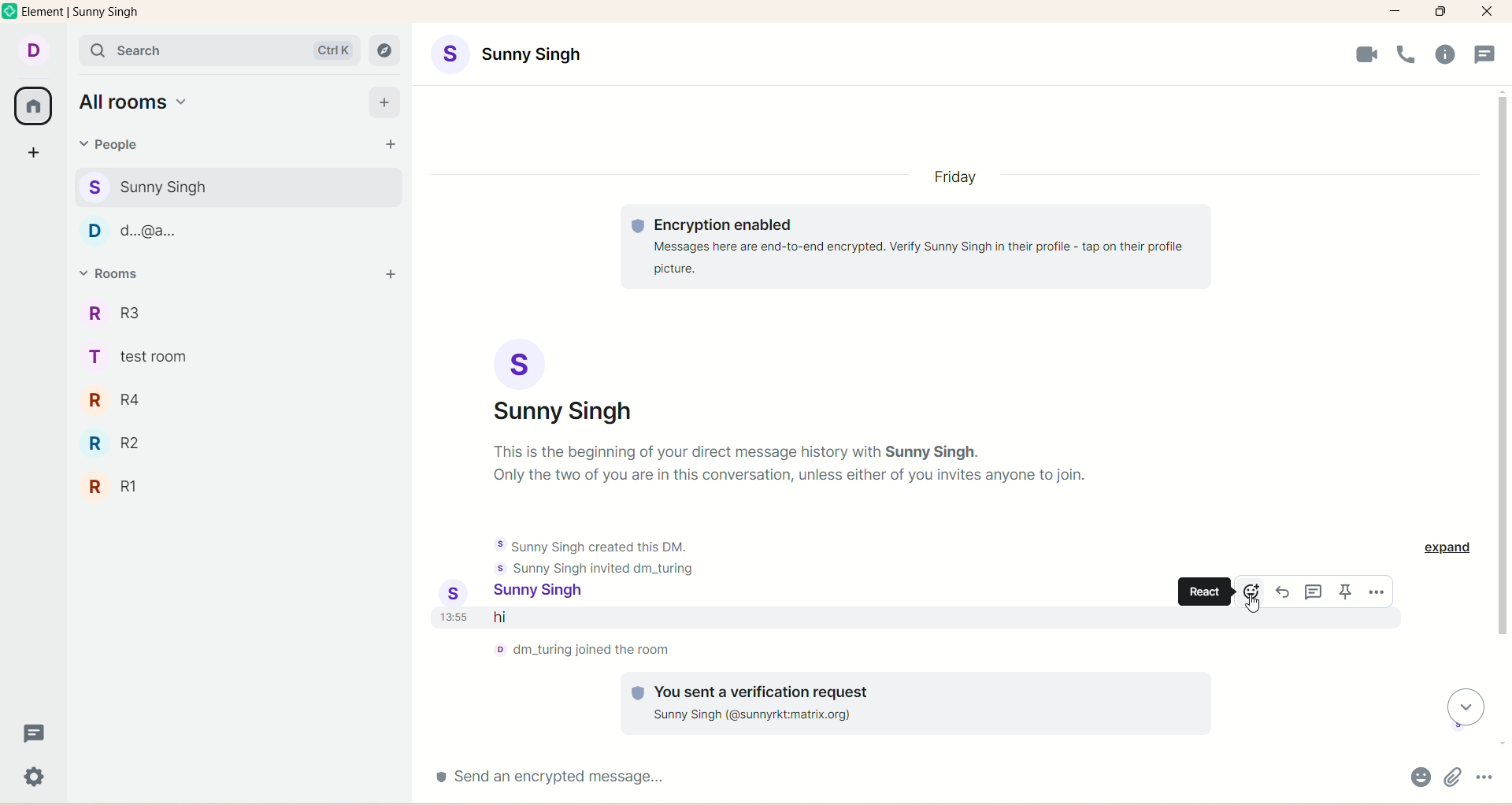  What do you see at coordinates (114, 273) in the screenshot?
I see `rooms` at bounding box center [114, 273].